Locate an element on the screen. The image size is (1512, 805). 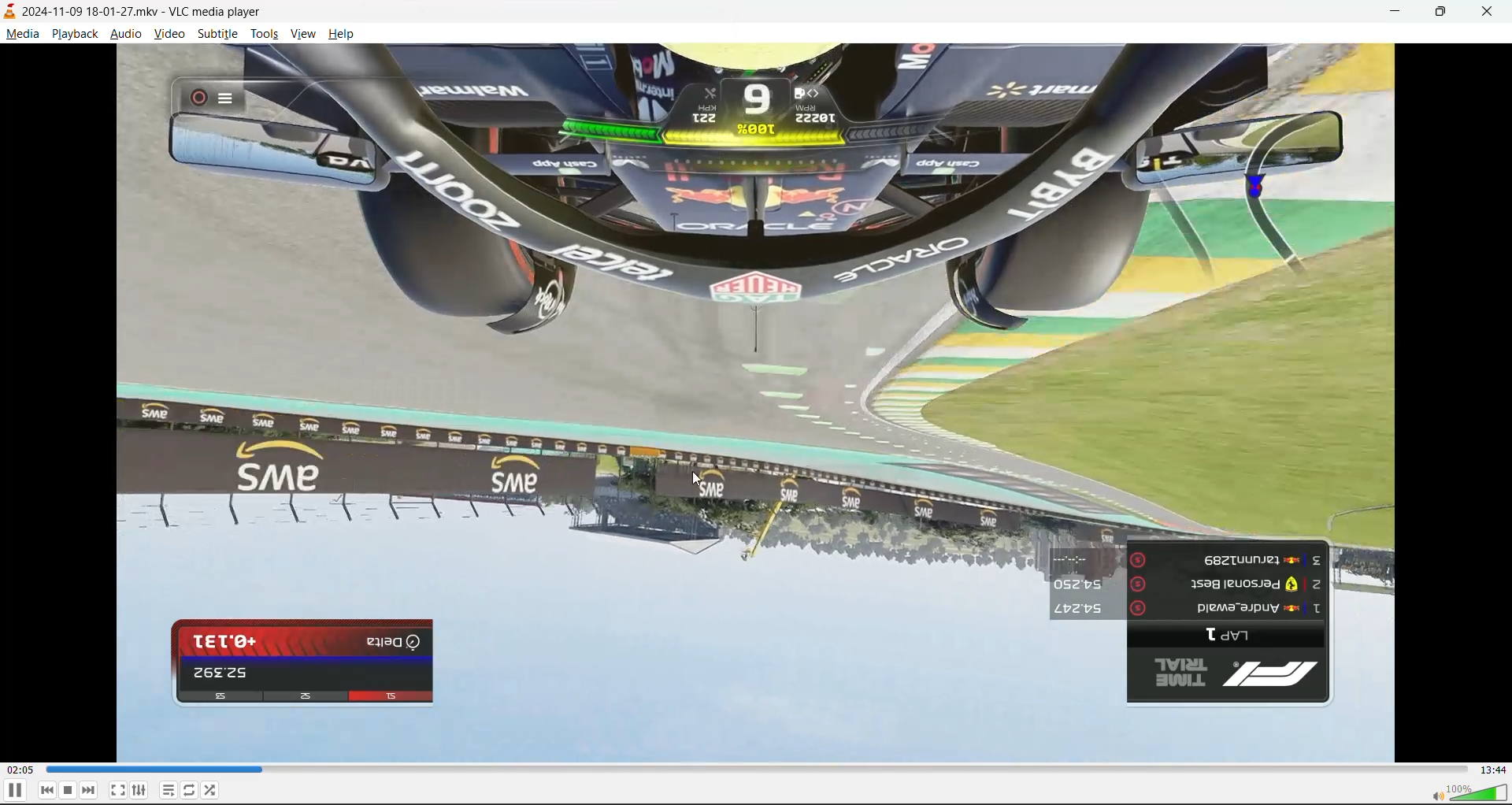
fullscreen is located at coordinates (118, 790).